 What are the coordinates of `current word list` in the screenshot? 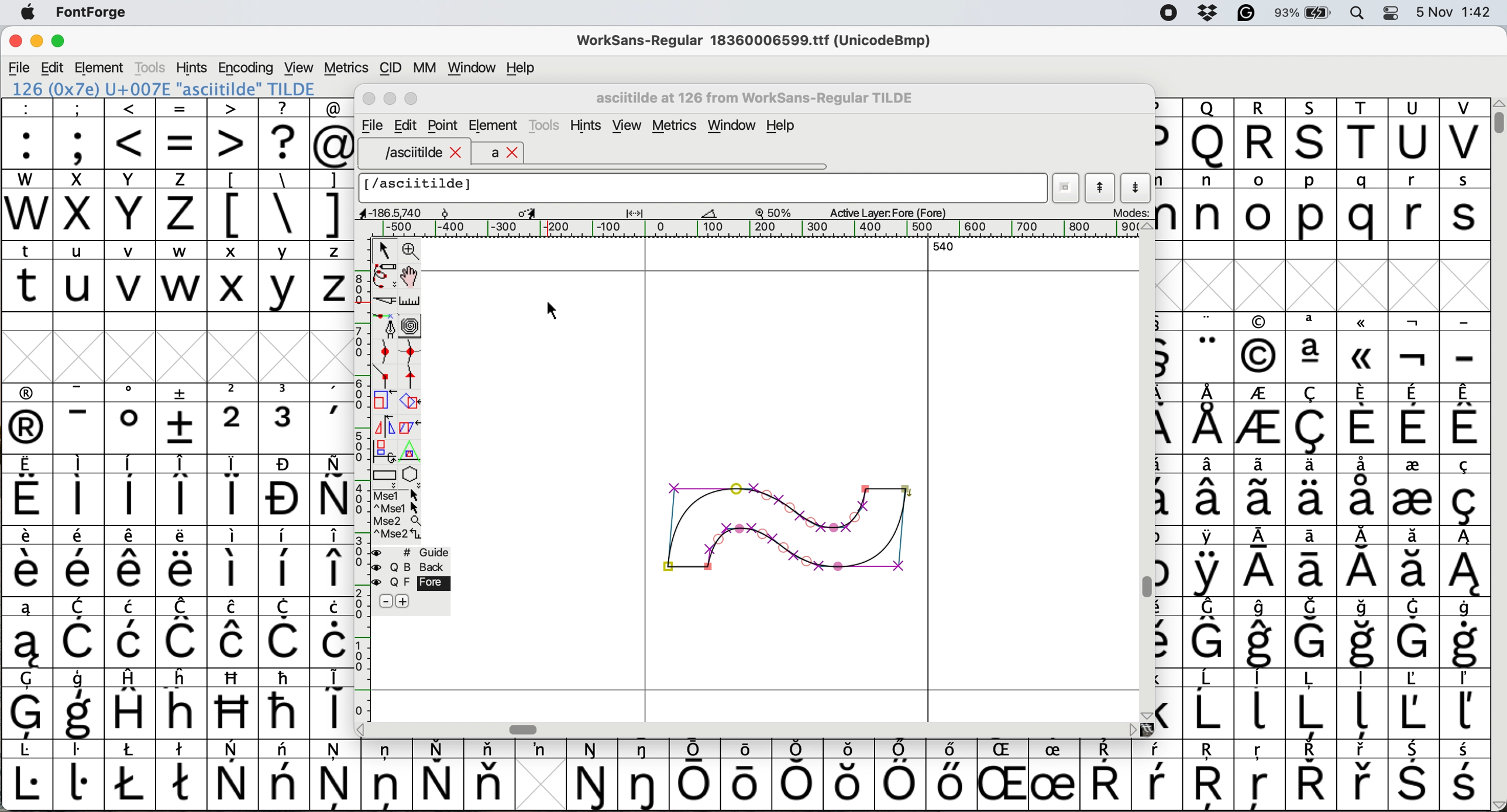 It's located at (1066, 190).